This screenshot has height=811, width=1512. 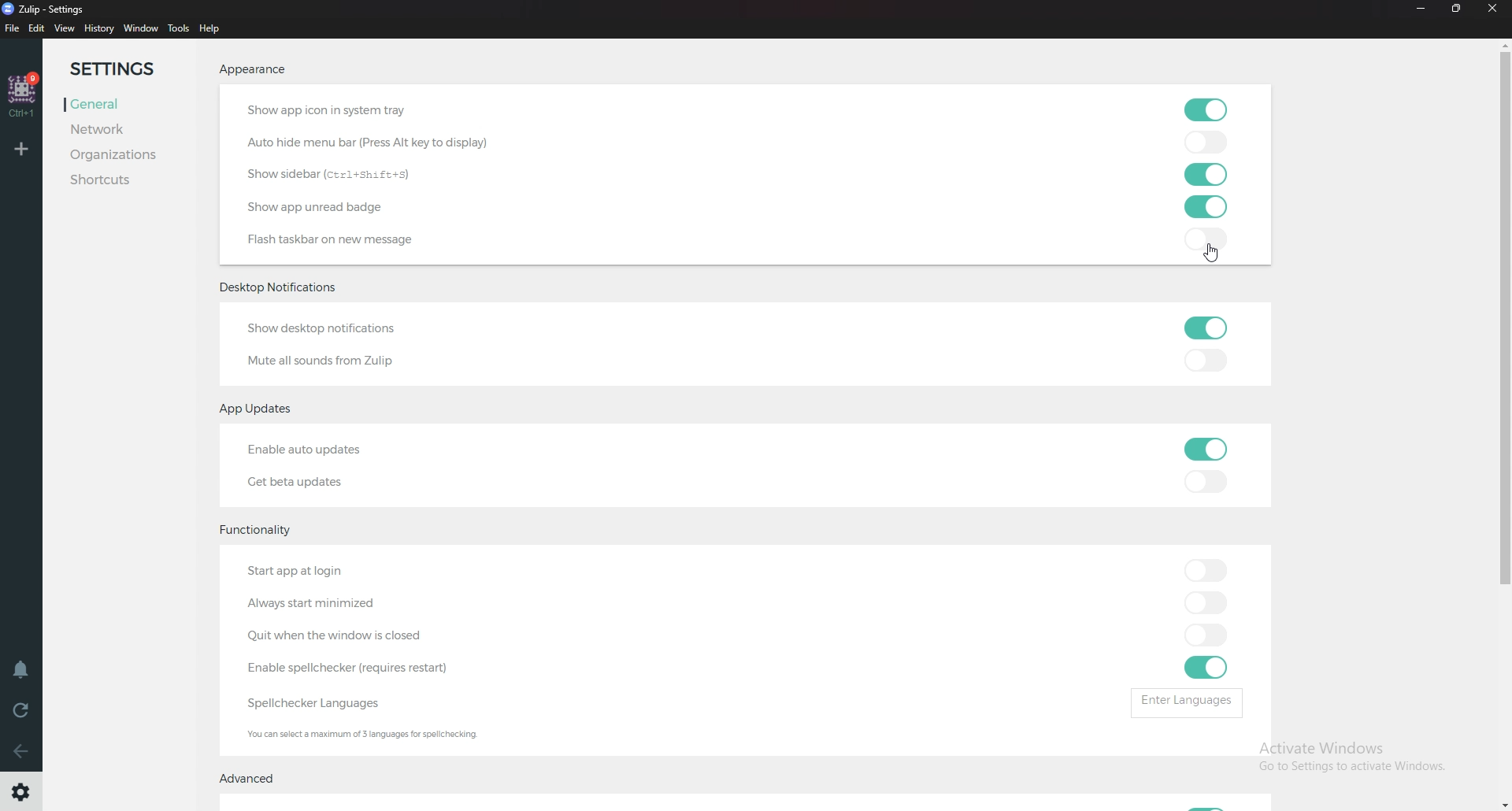 What do you see at coordinates (117, 128) in the screenshot?
I see `Network` at bounding box center [117, 128].